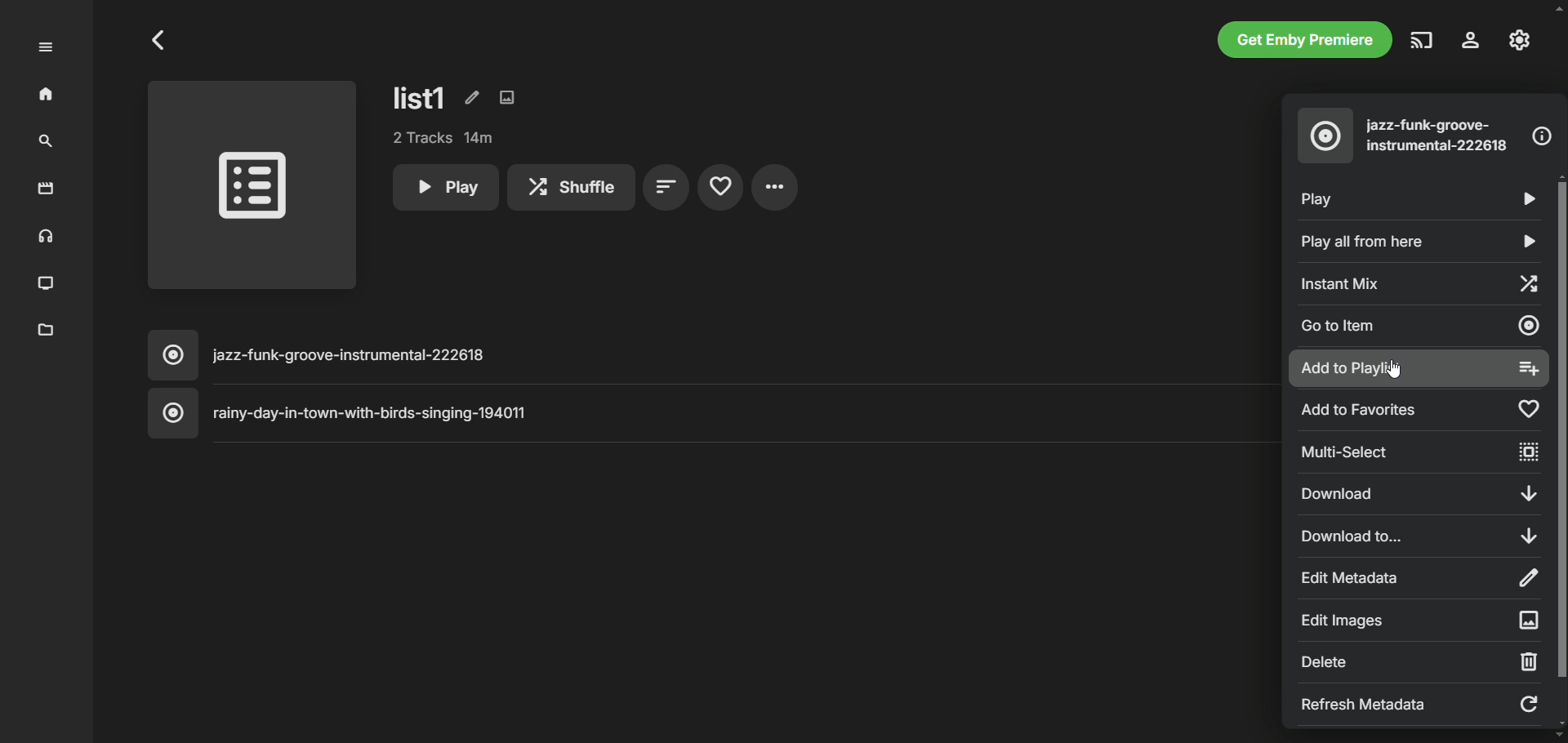 The height and width of the screenshot is (743, 1568). What do you see at coordinates (1420, 618) in the screenshot?
I see `edit images` at bounding box center [1420, 618].